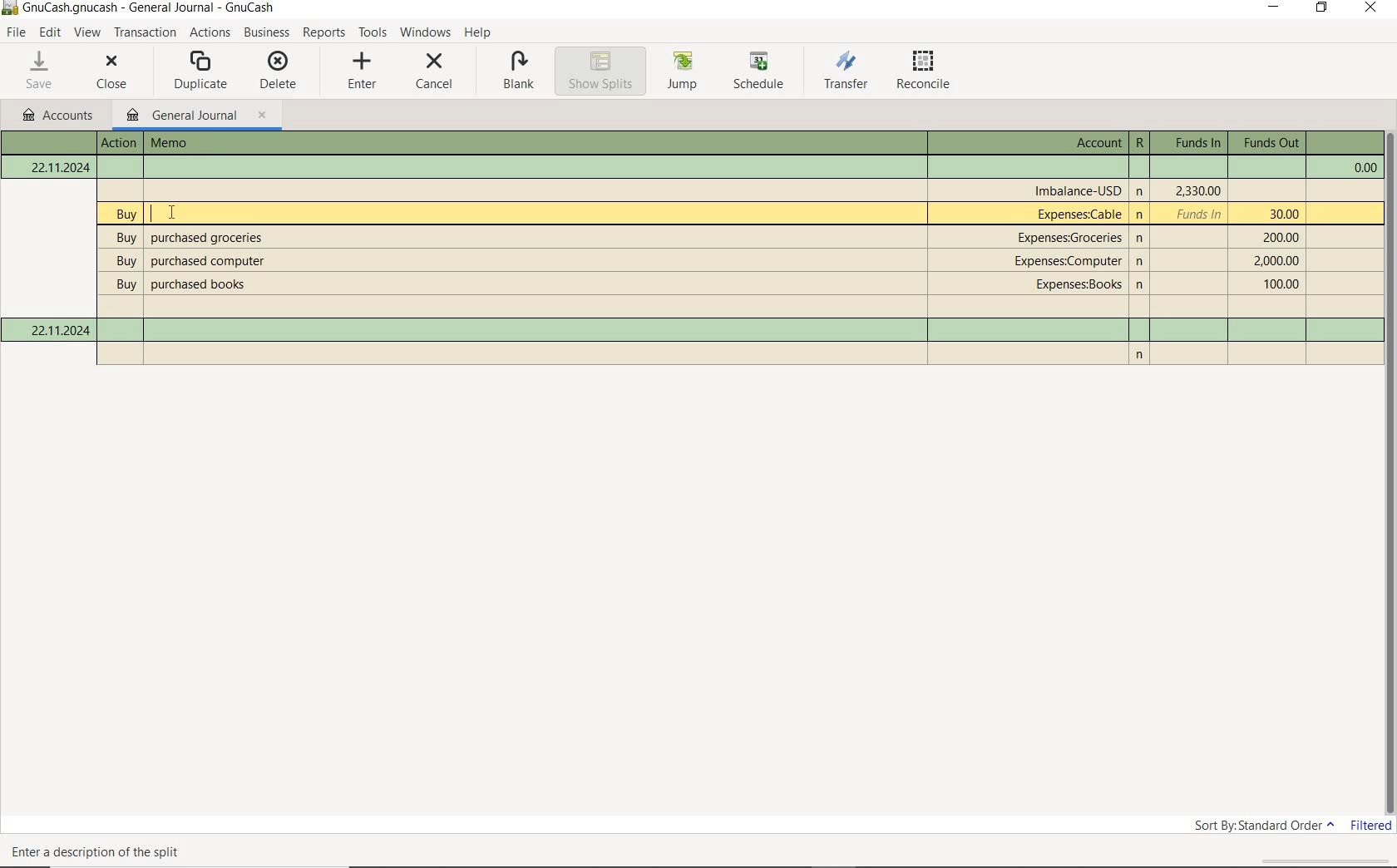  I want to click on Text, so click(1139, 143).